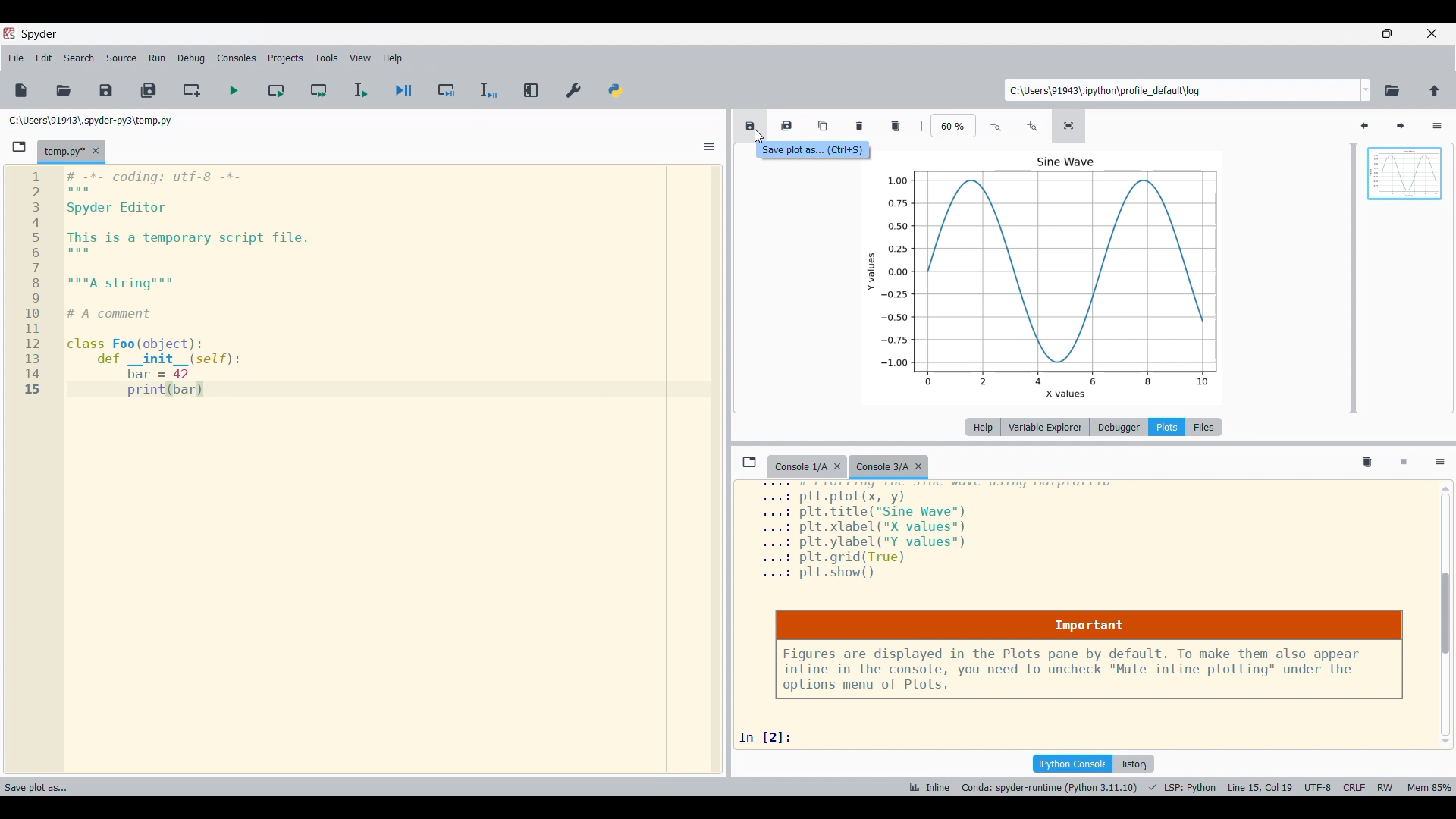 This screenshot has width=1456, height=819. Describe the element at coordinates (927, 787) in the screenshot. I see `INLINE` at that location.